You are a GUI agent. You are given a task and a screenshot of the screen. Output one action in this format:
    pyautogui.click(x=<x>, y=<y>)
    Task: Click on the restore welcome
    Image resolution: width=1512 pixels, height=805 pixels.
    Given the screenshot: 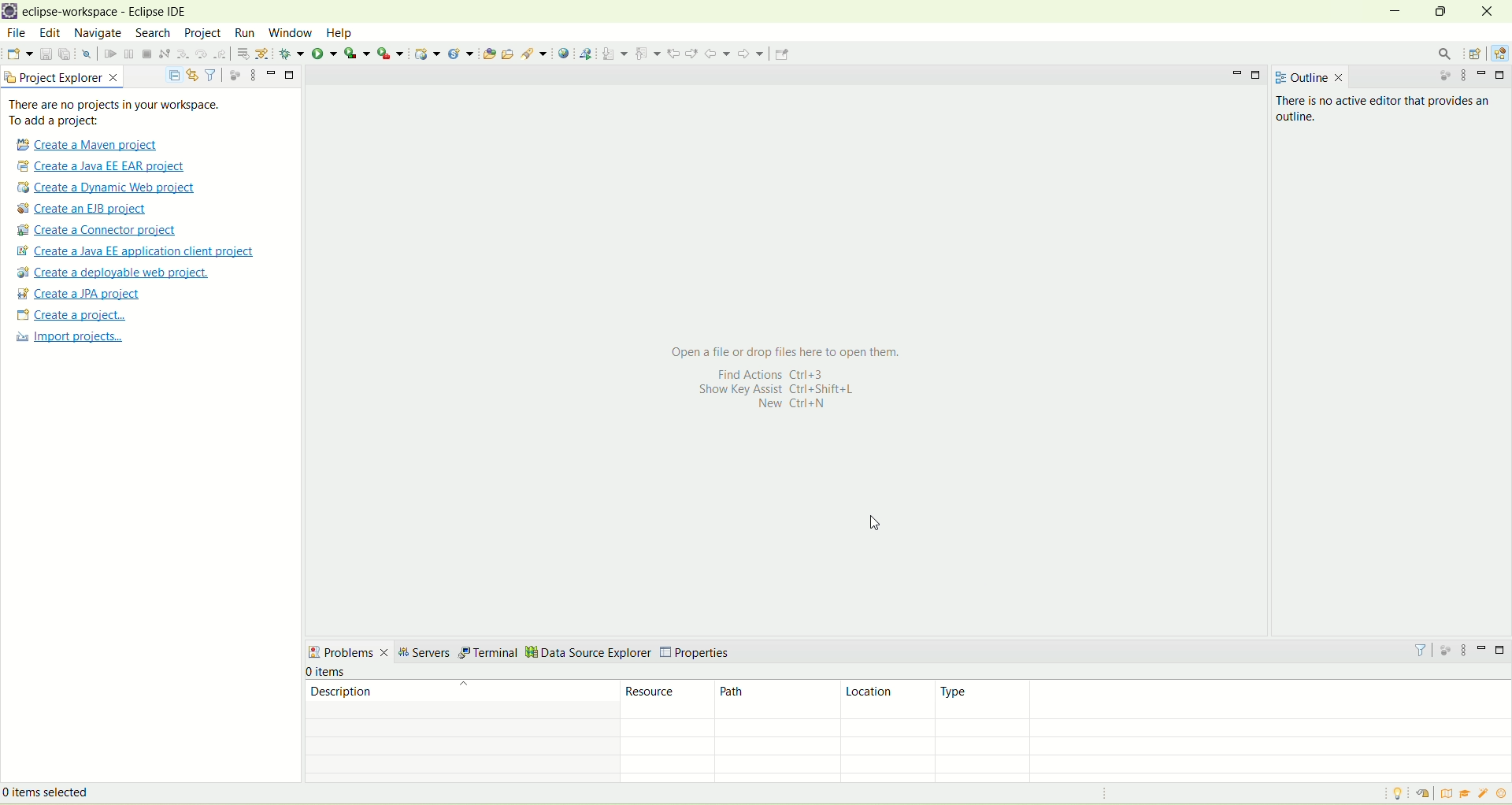 What is the action you would take?
    pyautogui.click(x=1429, y=795)
    